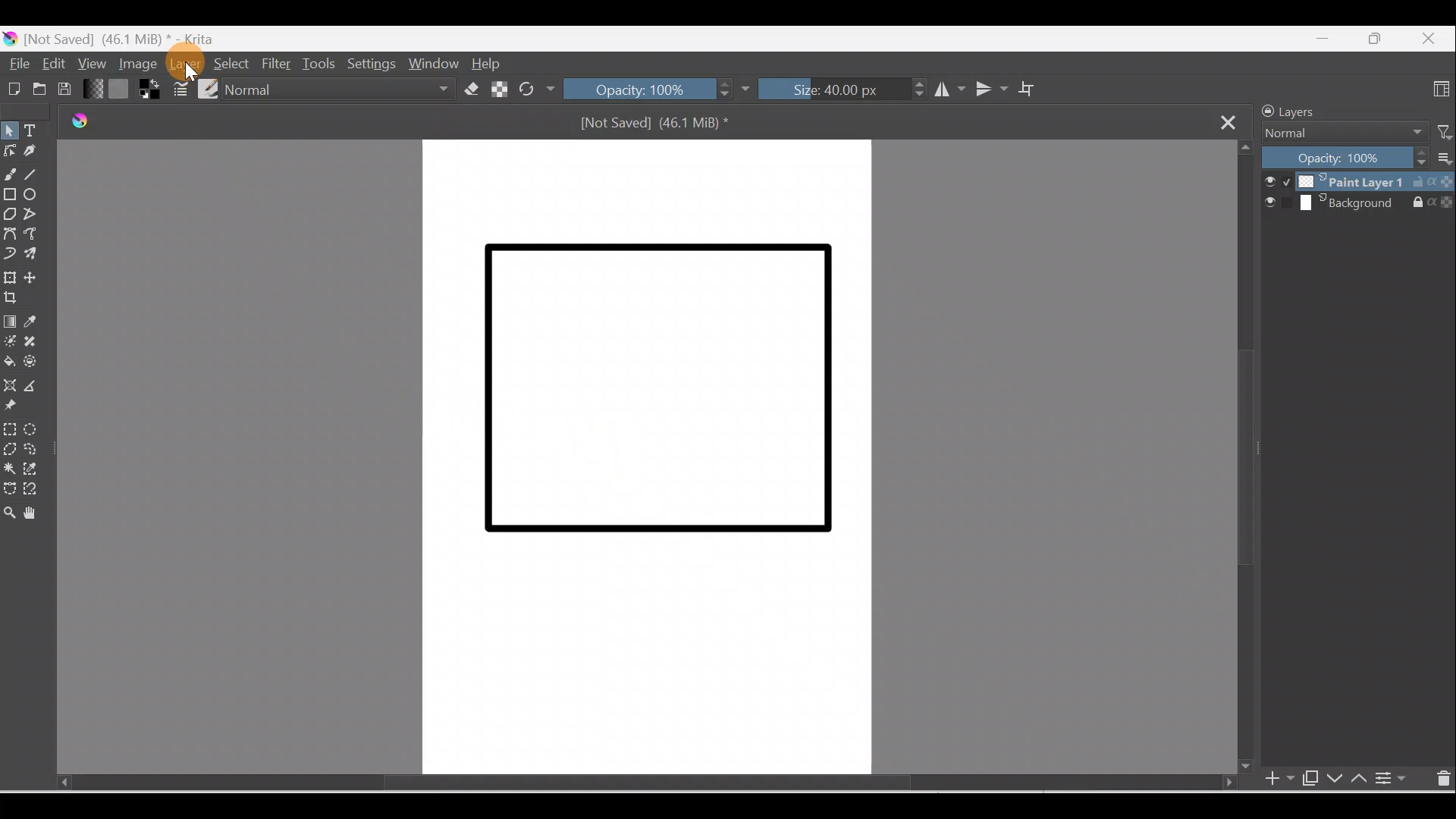 This screenshot has height=819, width=1456. Describe the element at coordinates (36, 256) in the screenshot. I see `Multibrush tool` at that location.